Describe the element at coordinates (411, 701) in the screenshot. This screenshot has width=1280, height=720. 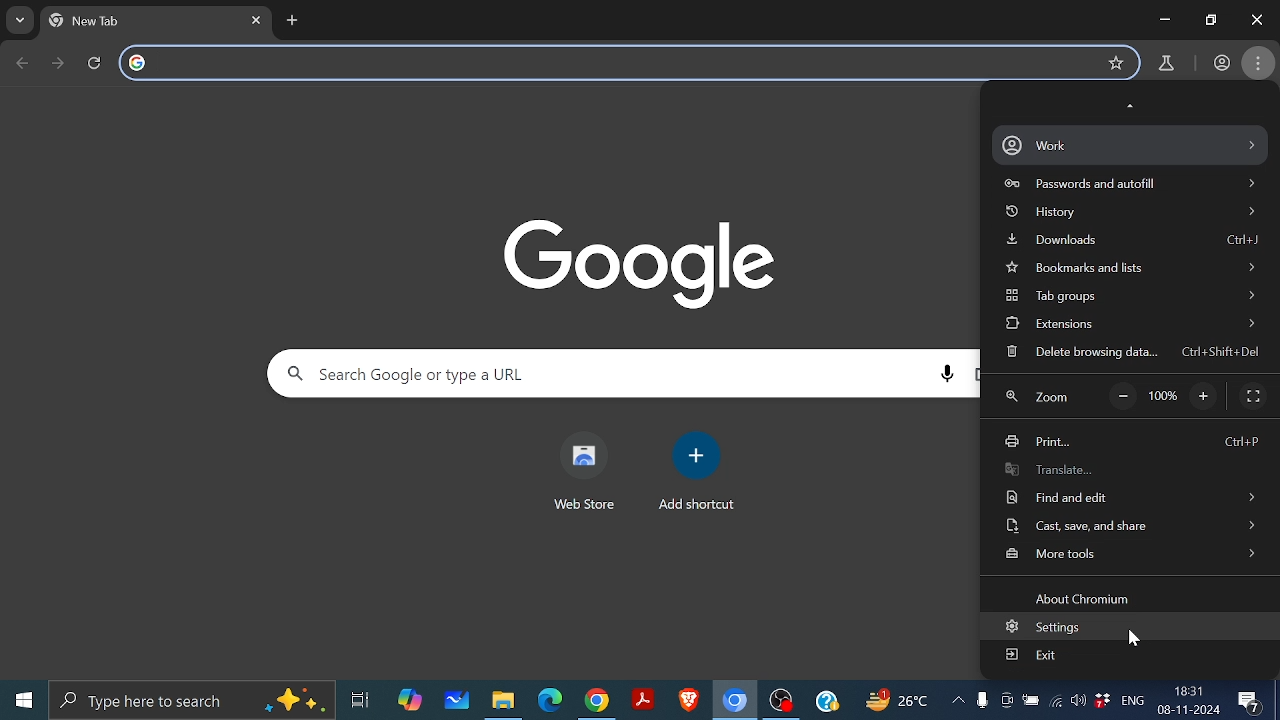
I see `co-pilot` at that location.